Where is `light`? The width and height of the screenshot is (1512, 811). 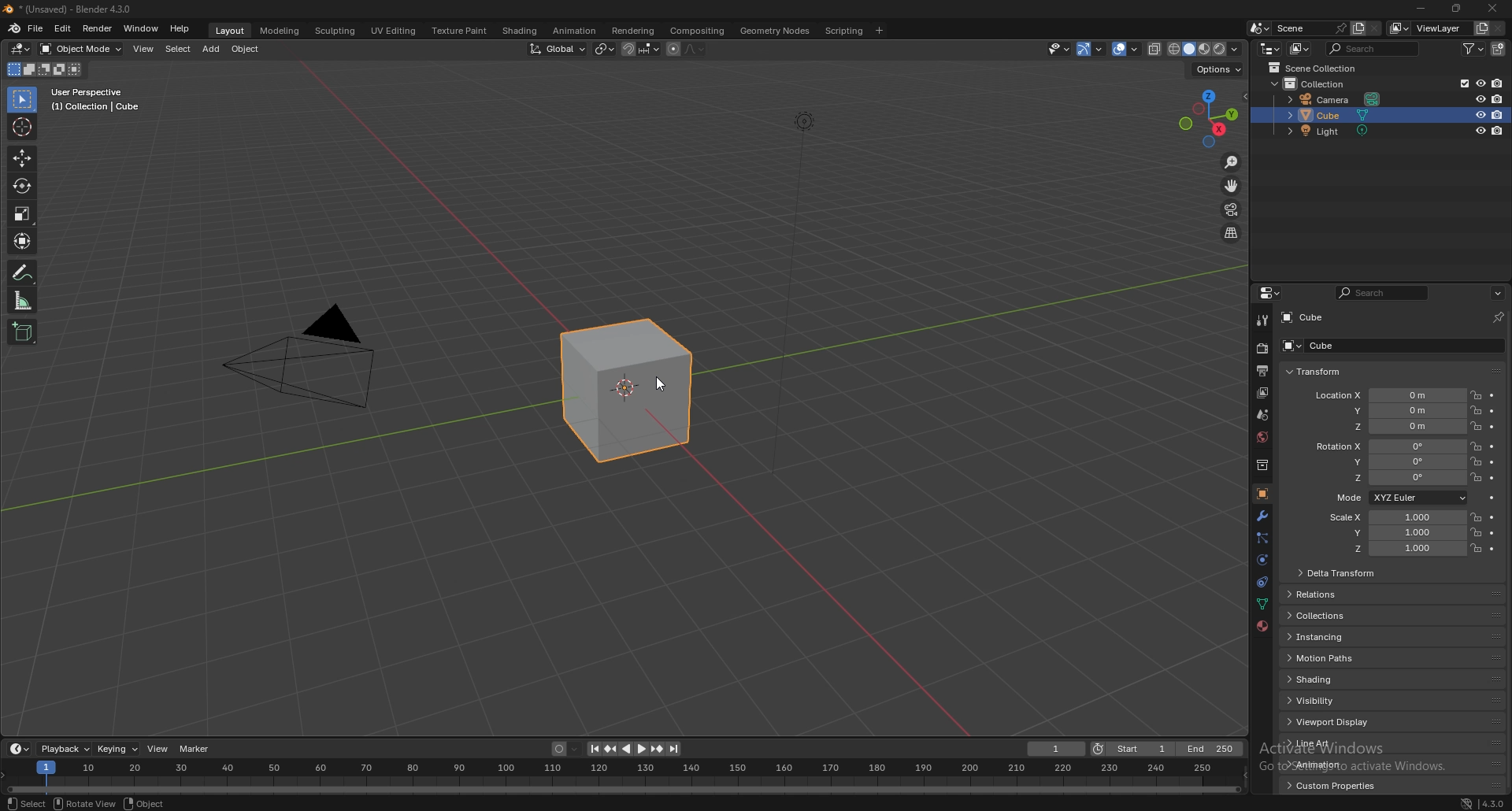 light is located at coordinates (1332, 130).